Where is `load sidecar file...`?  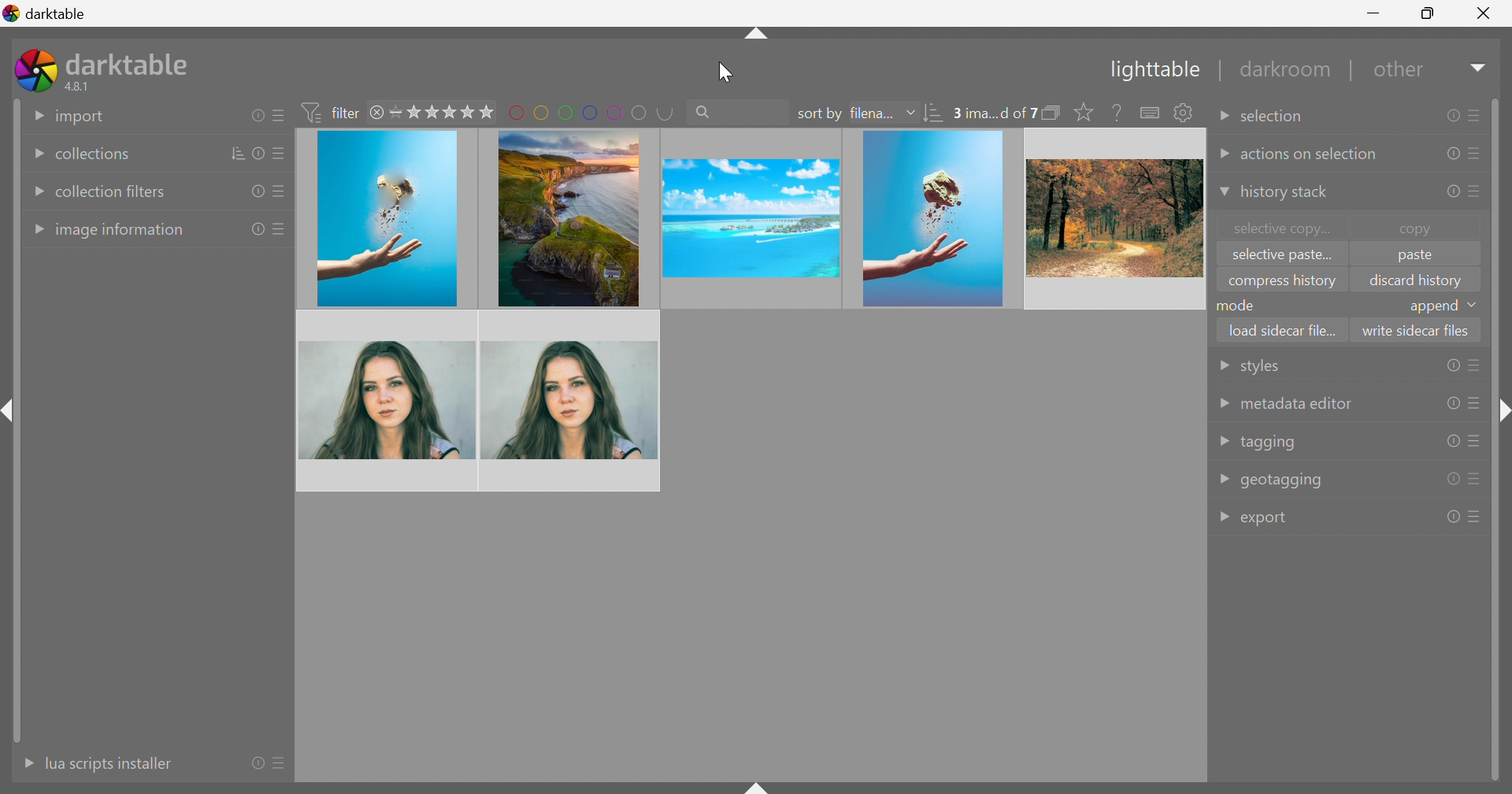
load sidecar file... is located at coordinates (1284, 328).